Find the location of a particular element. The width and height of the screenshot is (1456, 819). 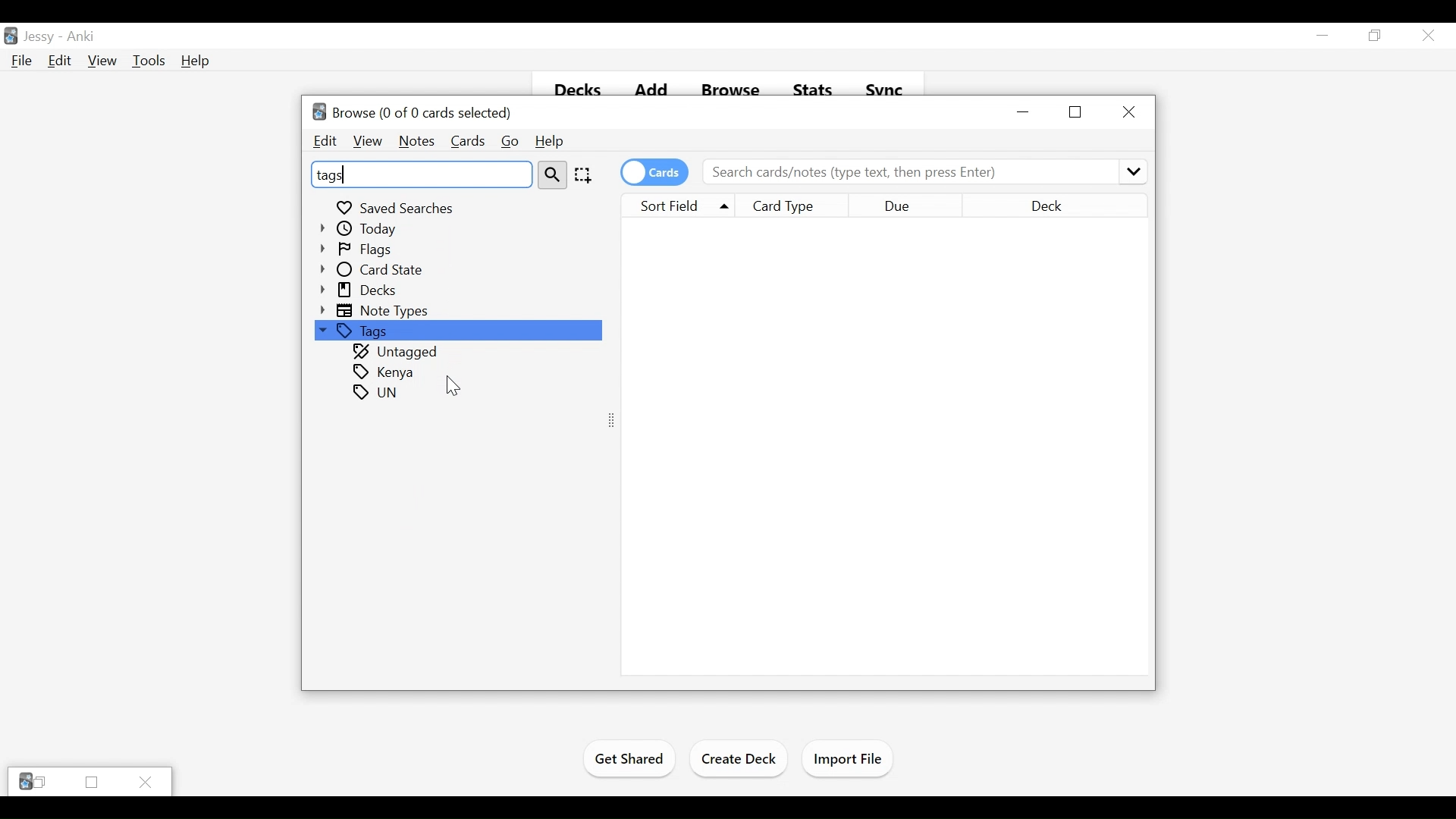

minimize is located at coordinates (1025, 113).